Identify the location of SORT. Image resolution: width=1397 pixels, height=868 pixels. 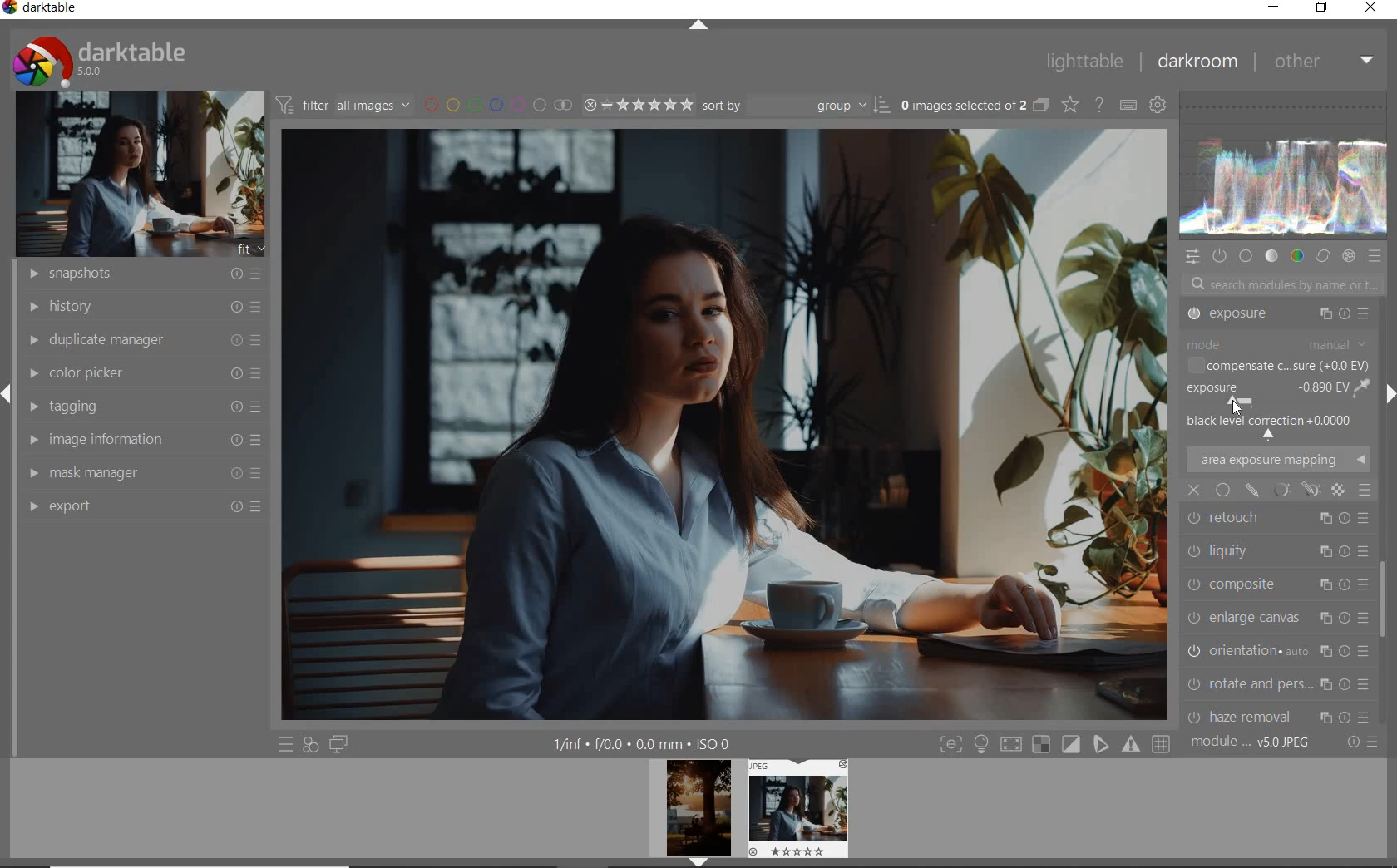
(793, 106).